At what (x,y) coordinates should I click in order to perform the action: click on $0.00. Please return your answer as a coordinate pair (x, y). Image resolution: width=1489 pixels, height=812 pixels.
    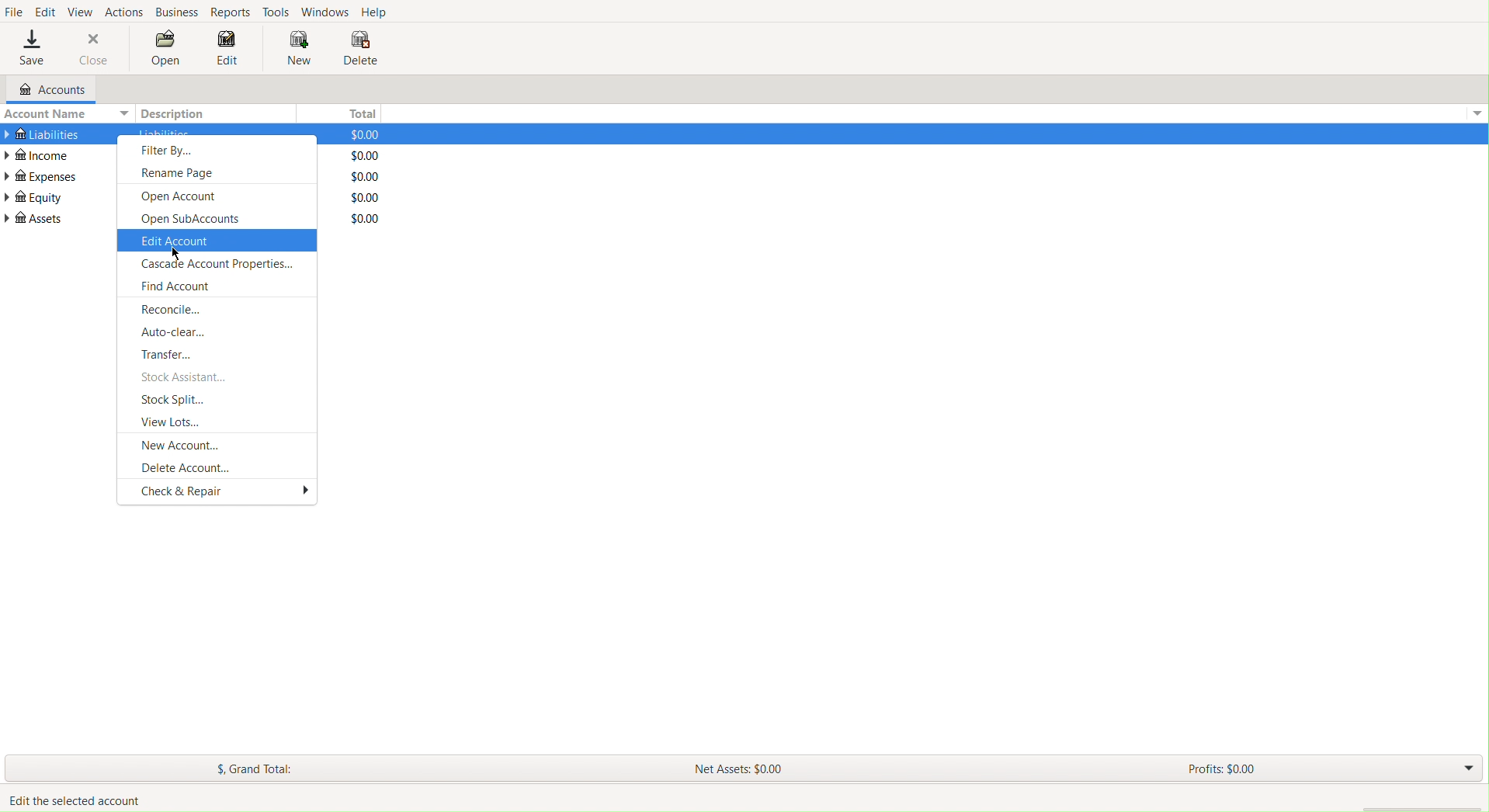
    Looking at the image, I should click on (360, 197).